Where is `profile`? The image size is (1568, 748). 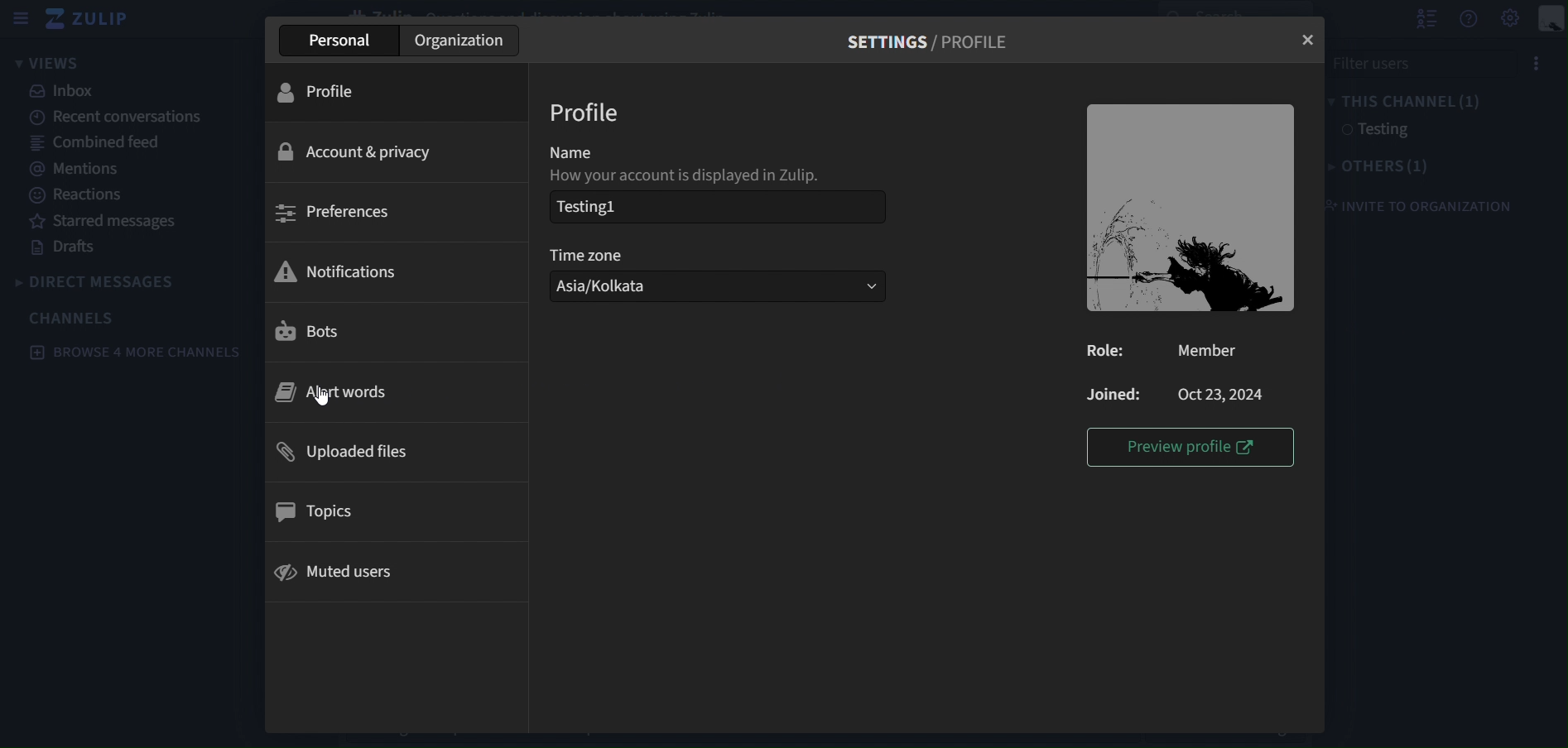
profile is located at coordinates (586, 114).